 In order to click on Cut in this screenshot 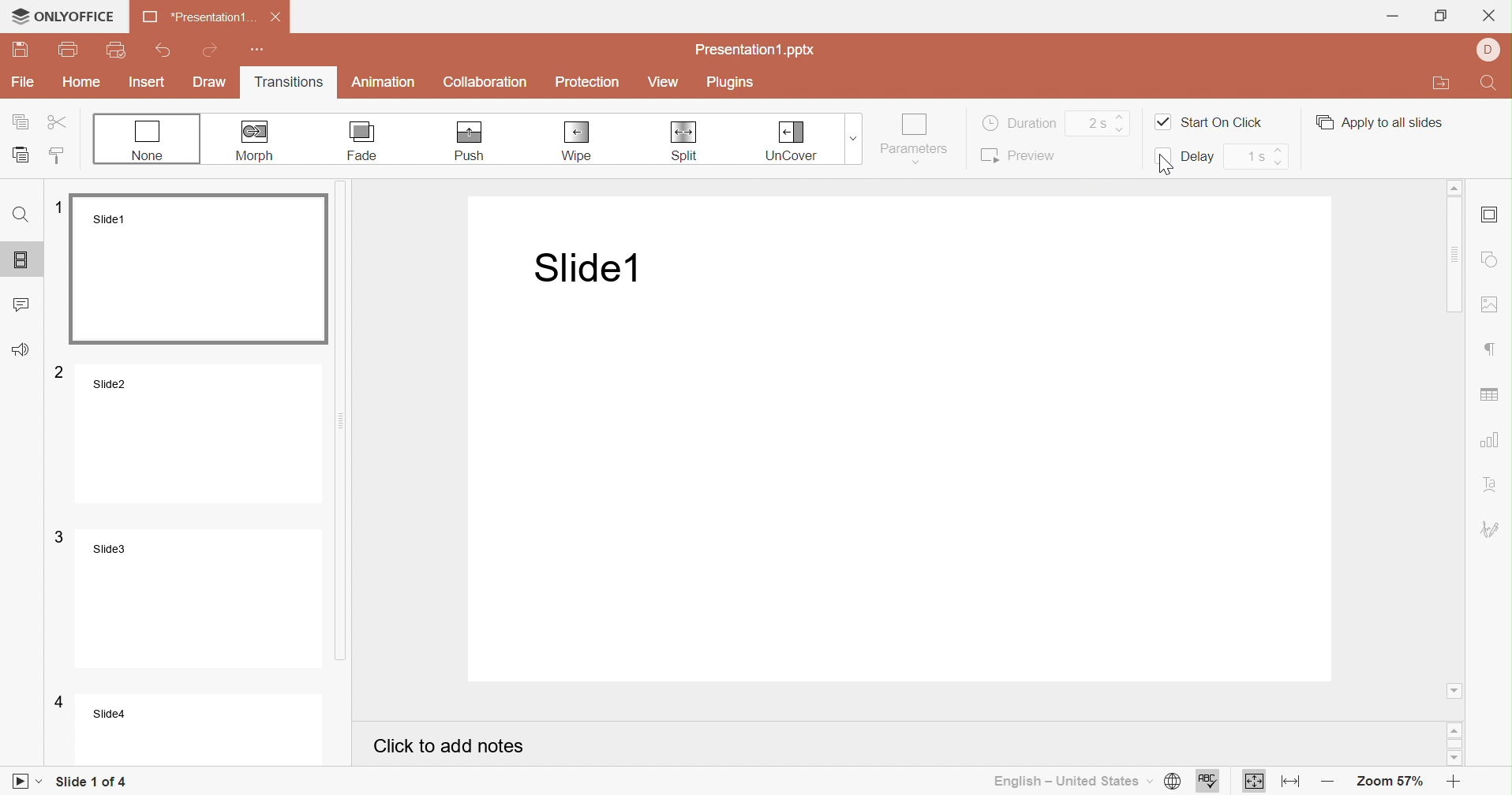, I will do `click(58, 121)`.